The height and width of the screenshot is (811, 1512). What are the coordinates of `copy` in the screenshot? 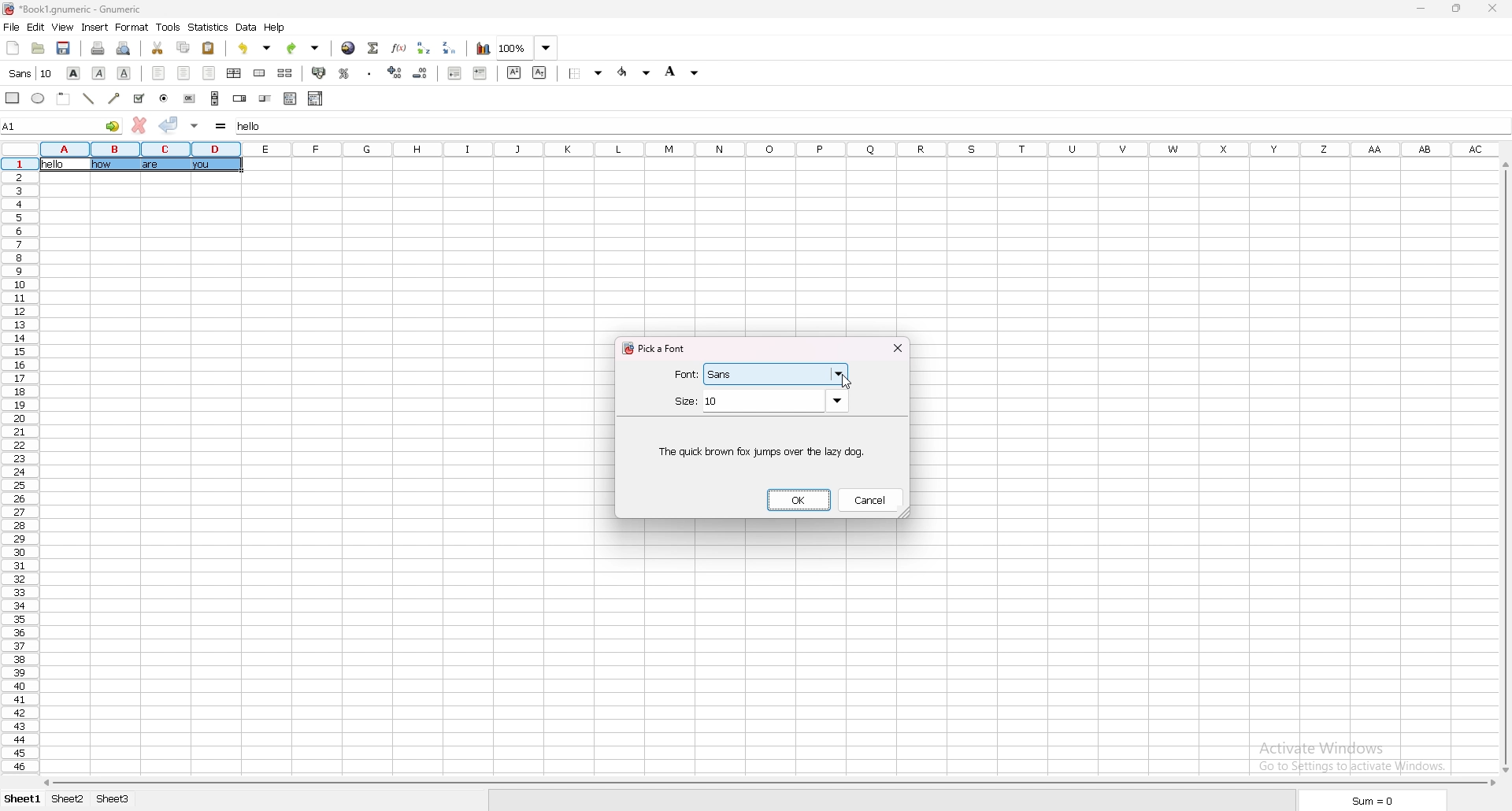 It's located at (183, 47).